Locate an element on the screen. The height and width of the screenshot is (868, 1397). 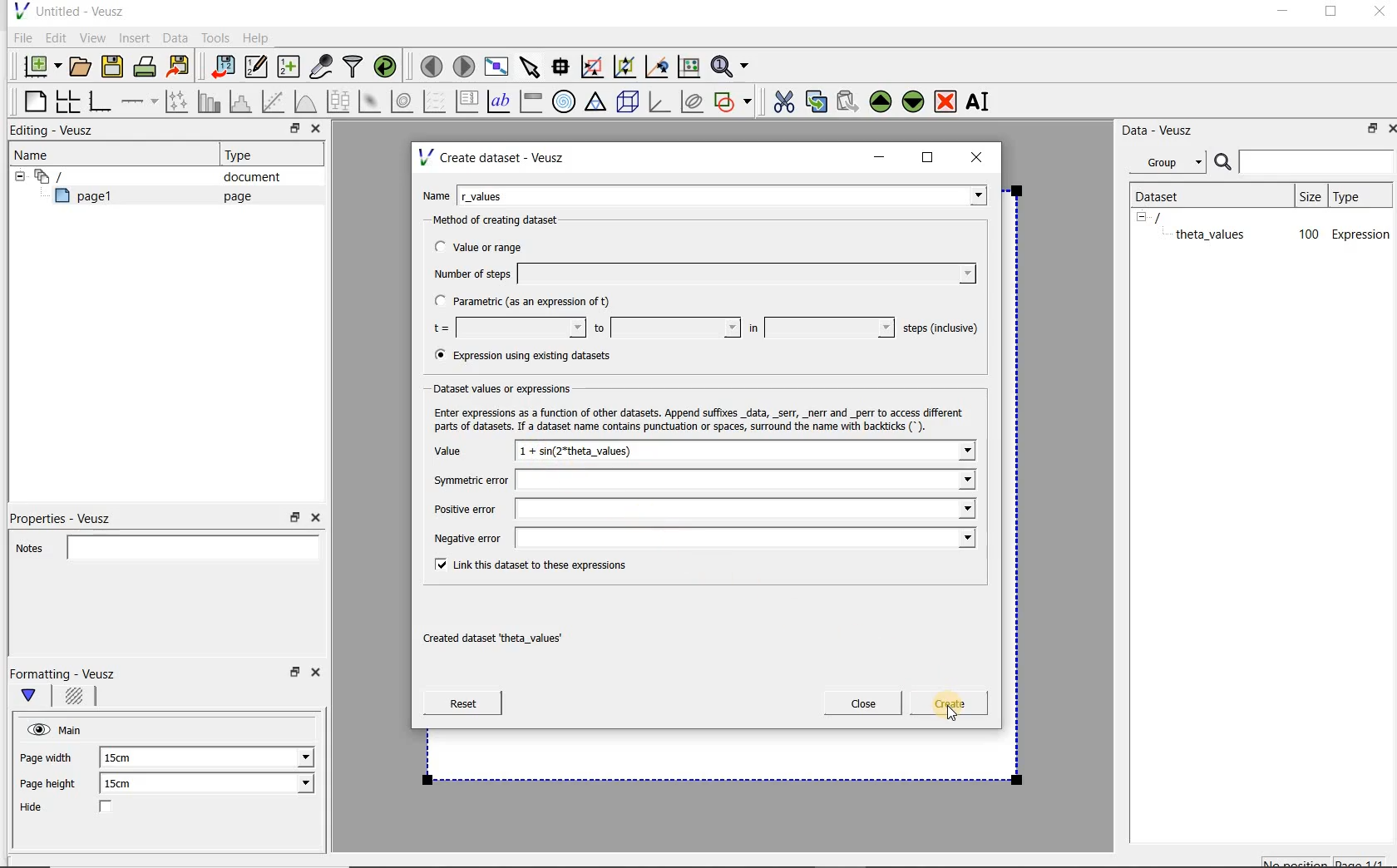
blank page is located at coordinates (32, 99).